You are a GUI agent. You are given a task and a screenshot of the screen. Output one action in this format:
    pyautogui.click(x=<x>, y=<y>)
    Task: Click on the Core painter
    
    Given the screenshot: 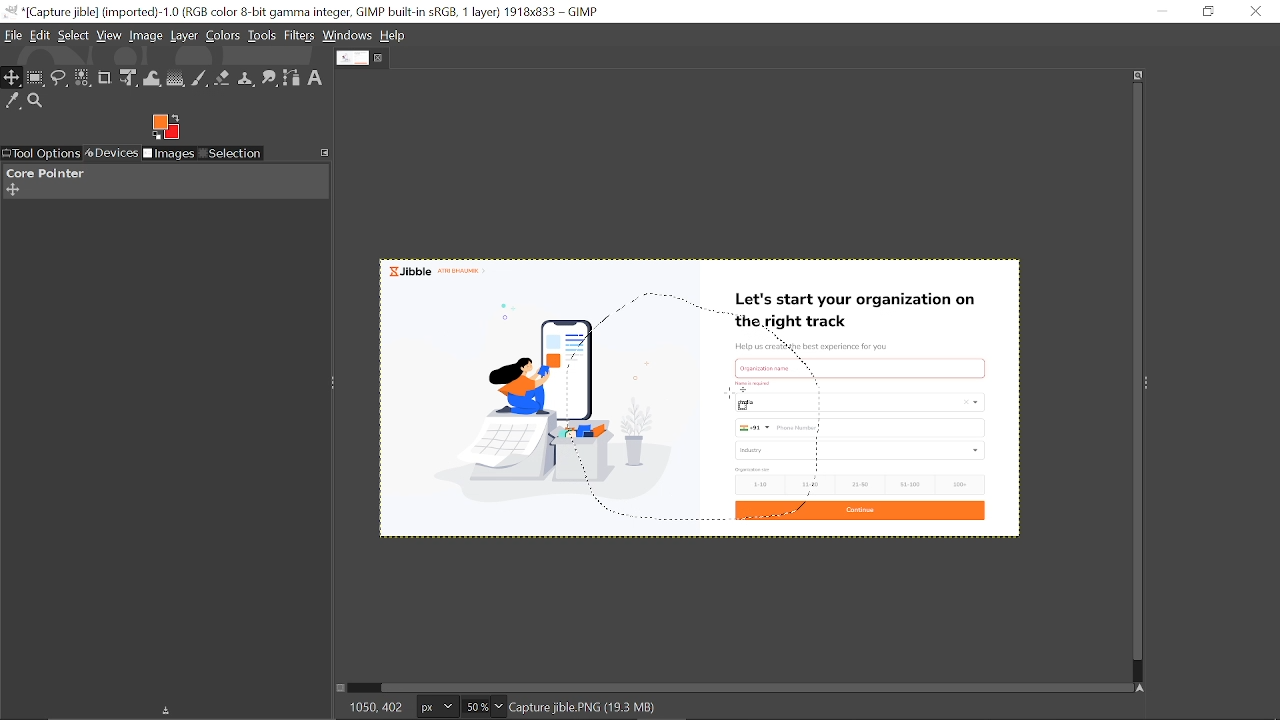 What is the action you would take?
    pyautogui.click(x=43, y=173)
    